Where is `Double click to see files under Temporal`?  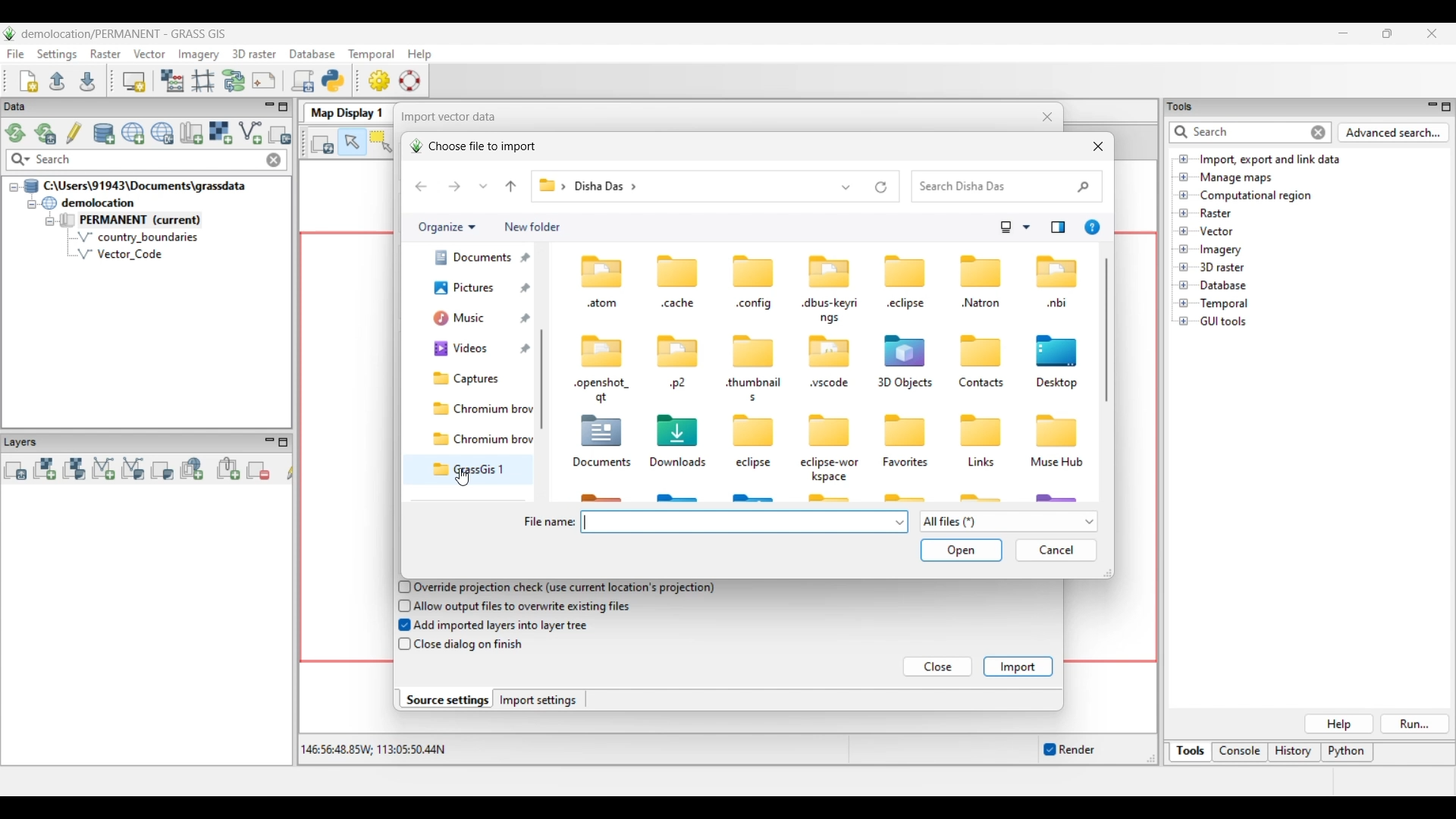
Double click to see files under Temporal is located at coordinates (1224, 304).